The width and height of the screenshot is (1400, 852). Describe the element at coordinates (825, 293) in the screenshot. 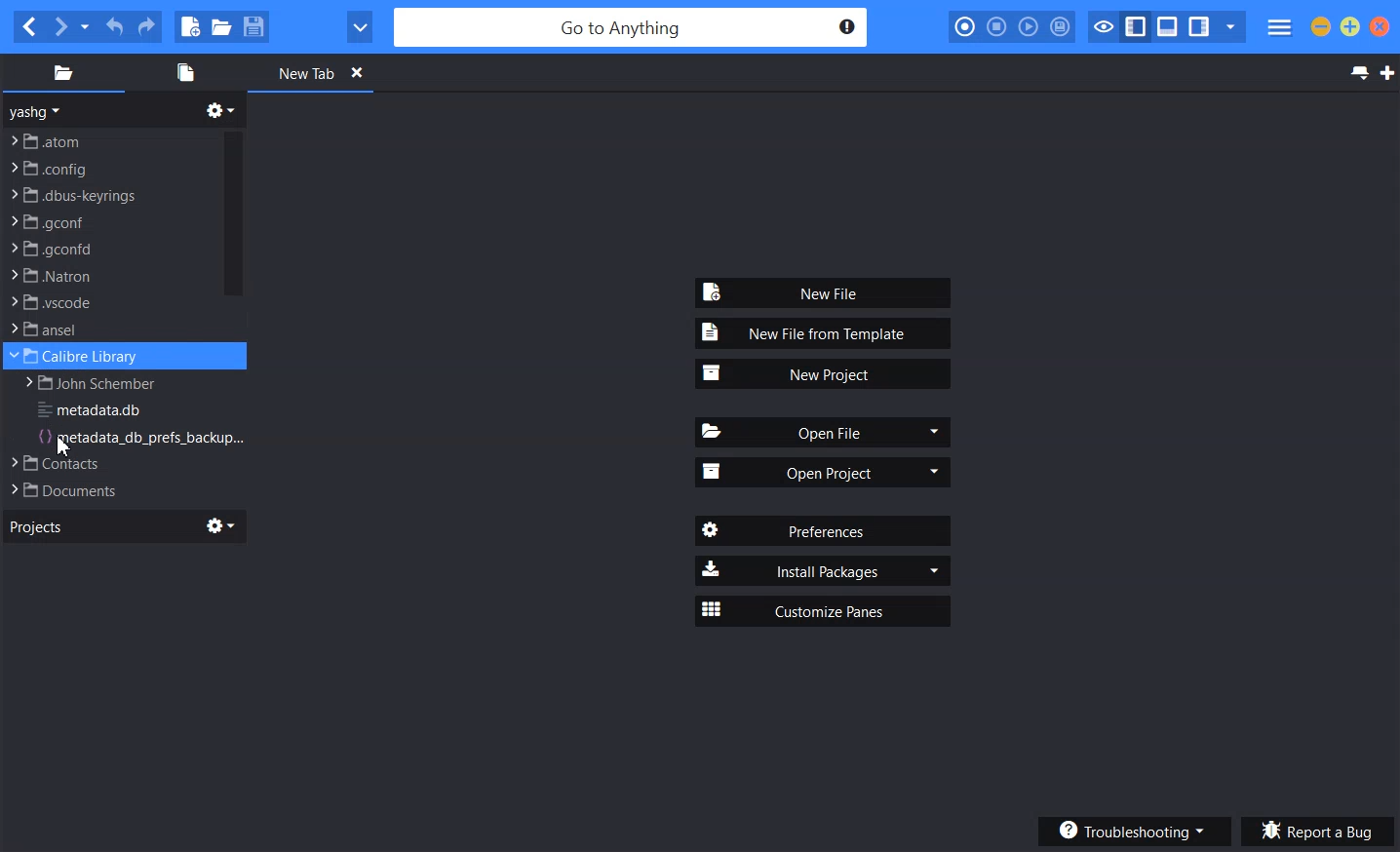

I see `New File` at that location.